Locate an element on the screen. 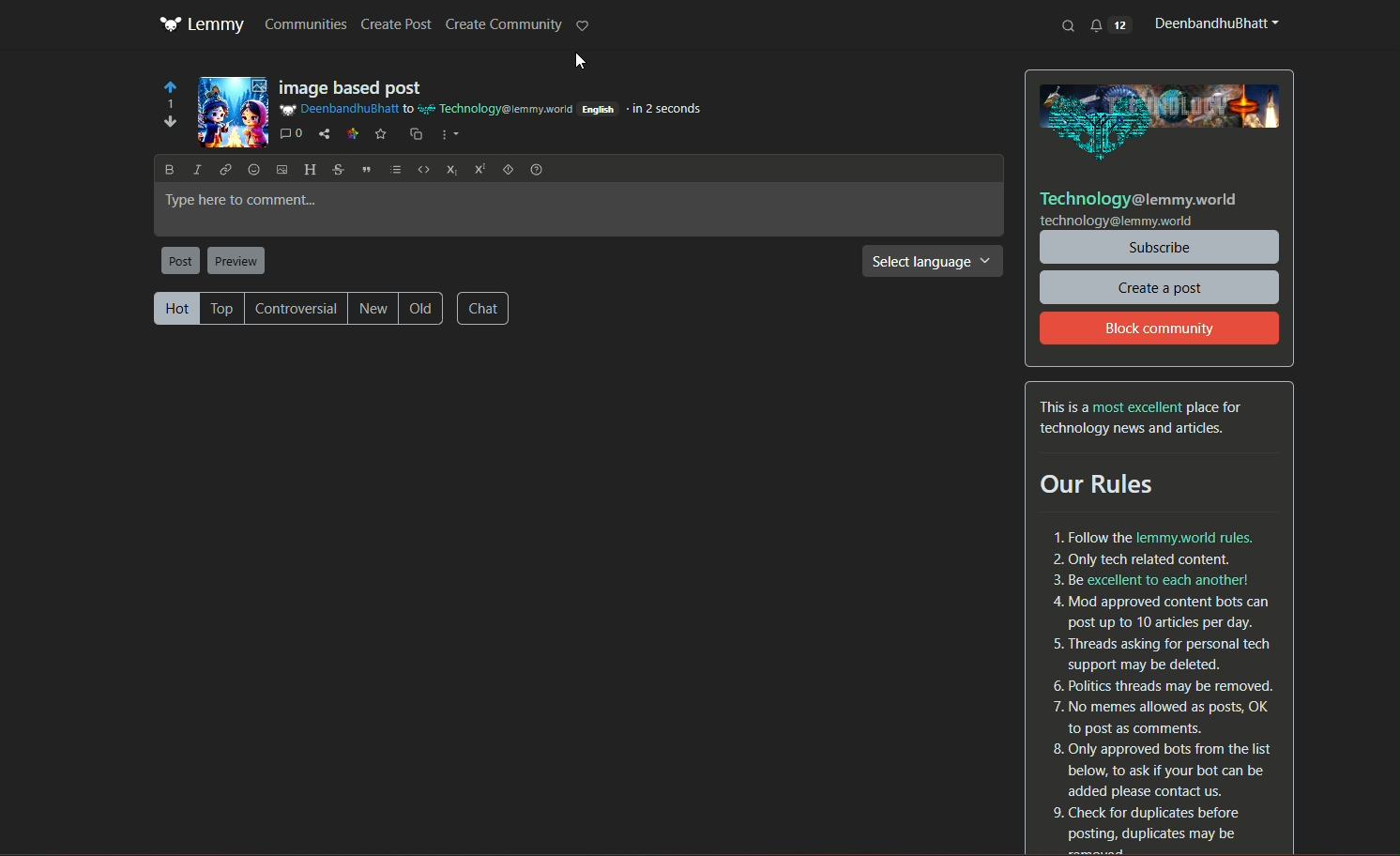 The image size is (1400, 856). profile name is located at coordinates (1213, 23).